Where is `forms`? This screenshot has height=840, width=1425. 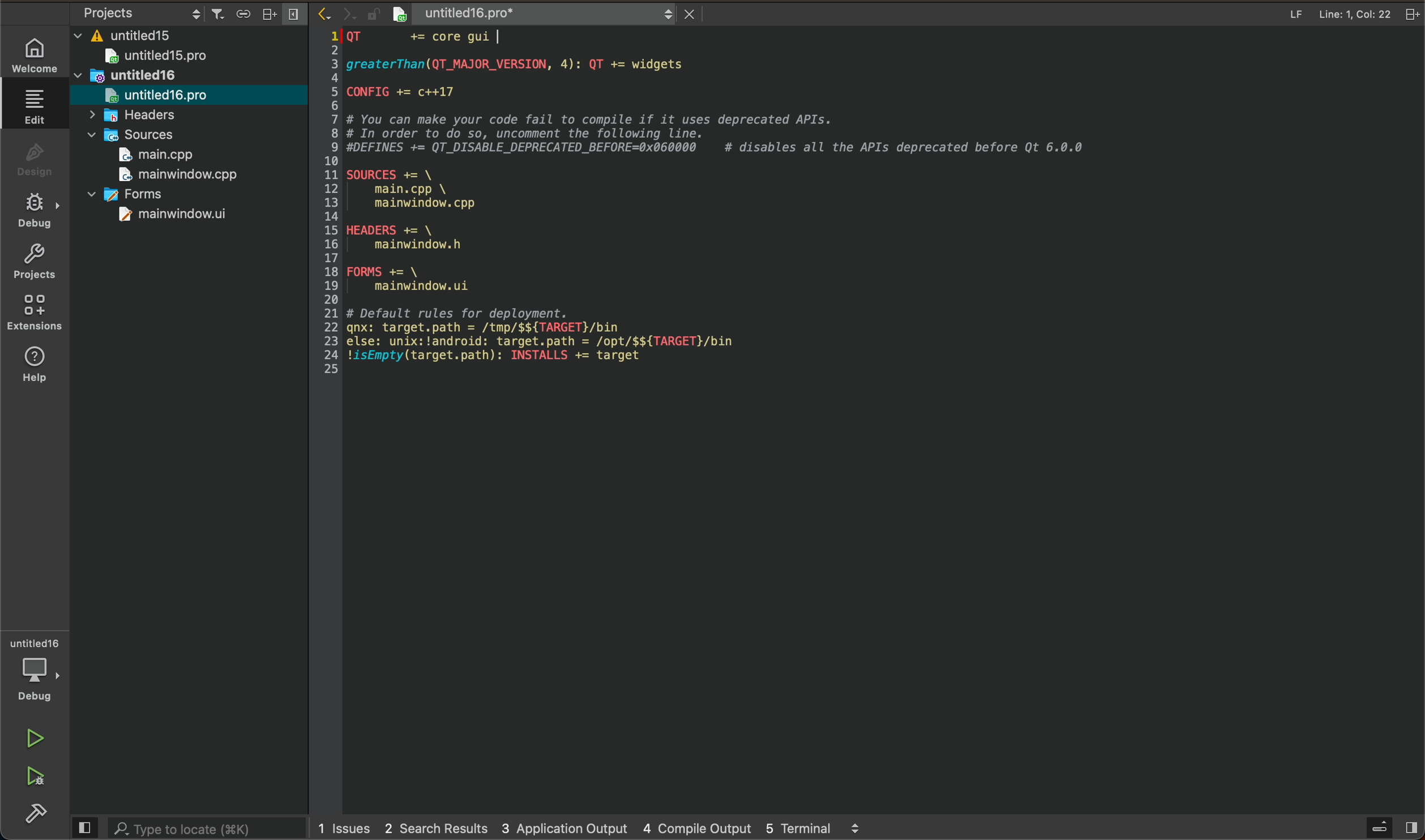
forms is located at coordinates (136, 192).